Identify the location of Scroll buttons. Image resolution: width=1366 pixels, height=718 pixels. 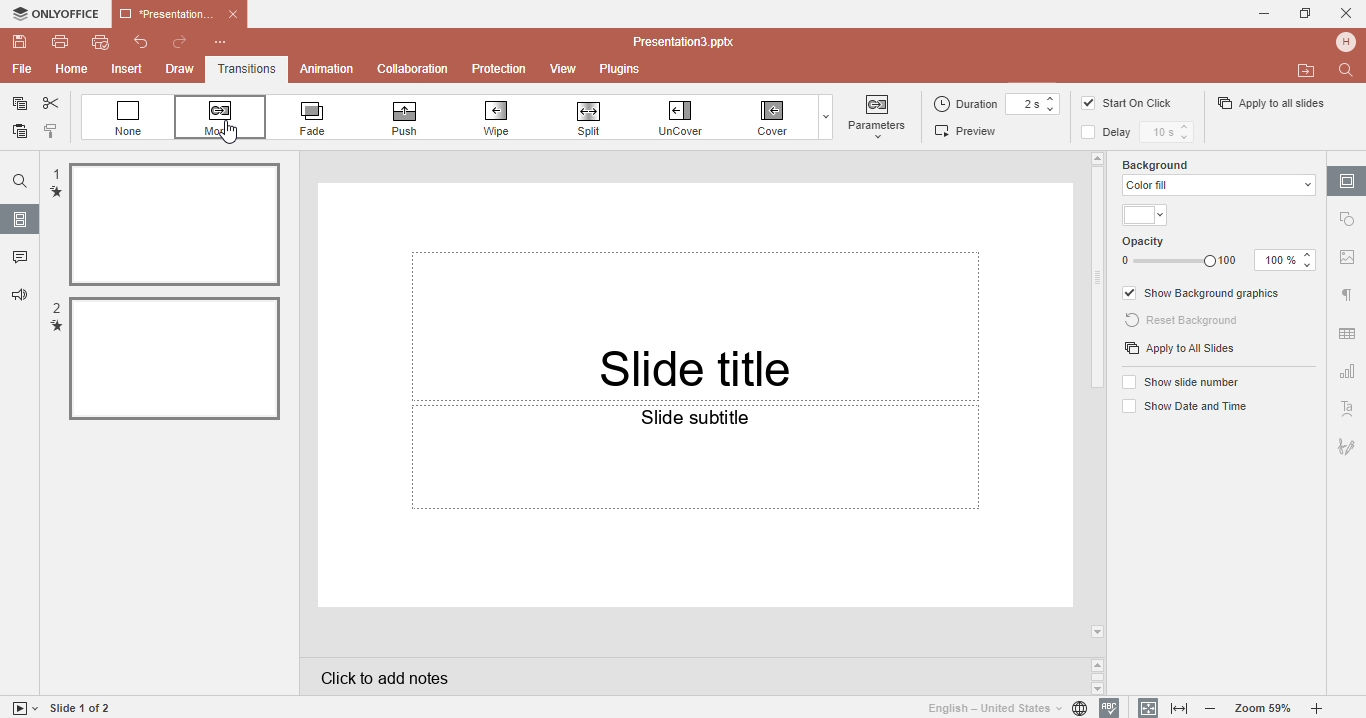
(1099, 676).